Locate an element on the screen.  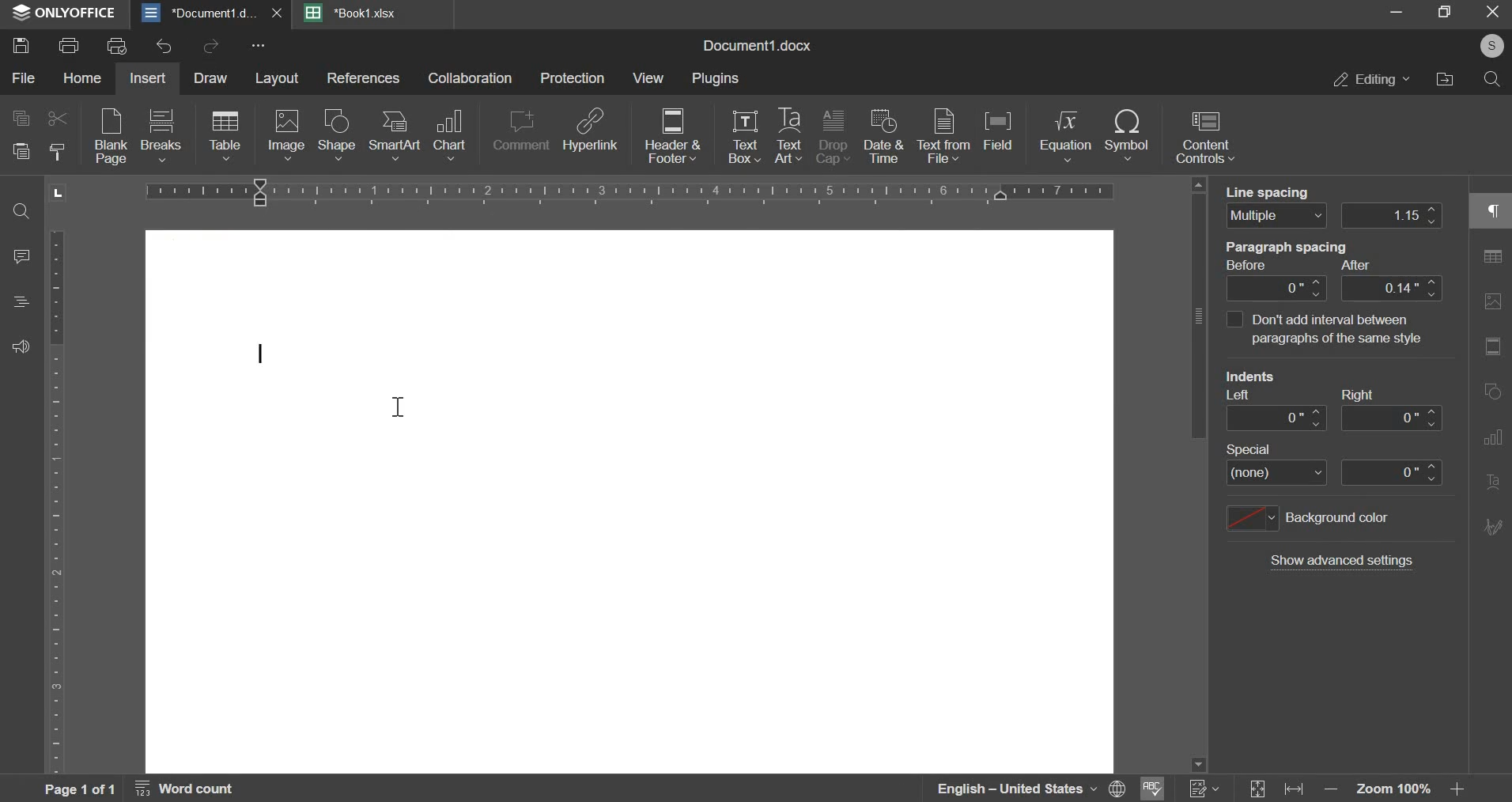
view is located at coordinates (648, 78).